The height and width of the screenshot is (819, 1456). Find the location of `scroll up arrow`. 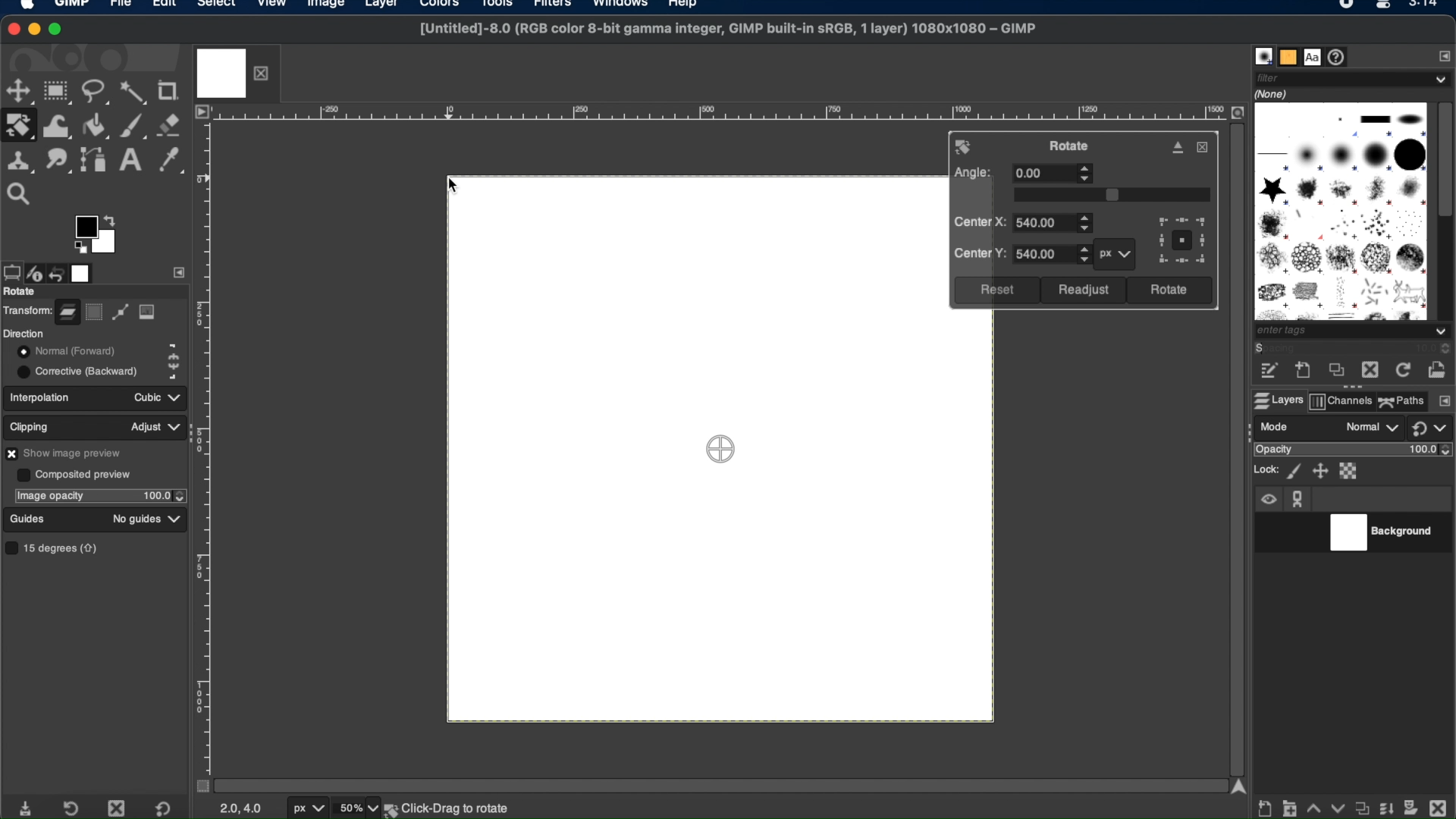

scroll up arrow is located at coordinates (1238, 786).